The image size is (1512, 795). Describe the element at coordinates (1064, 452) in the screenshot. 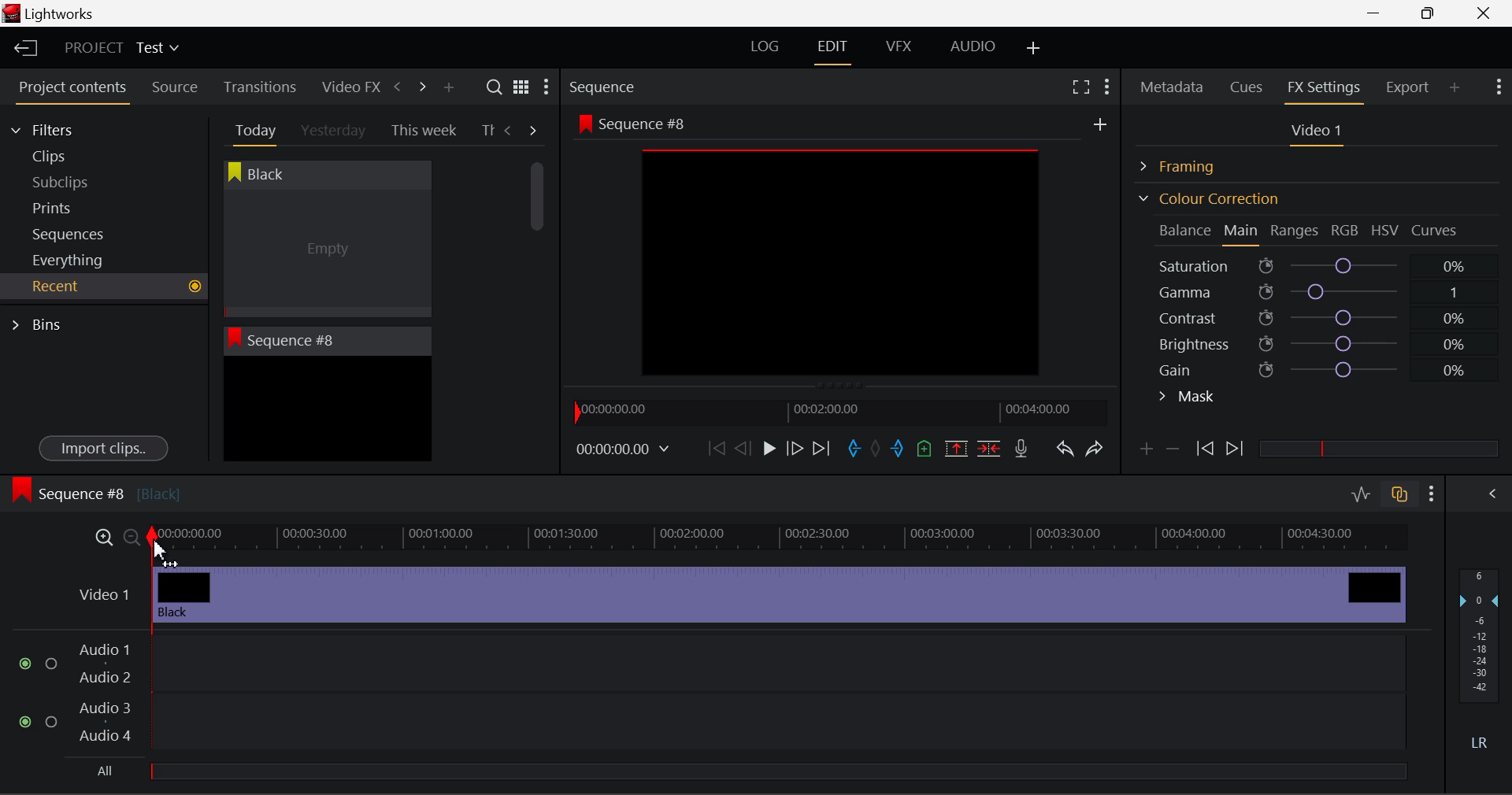

I see `Undo` at that location.